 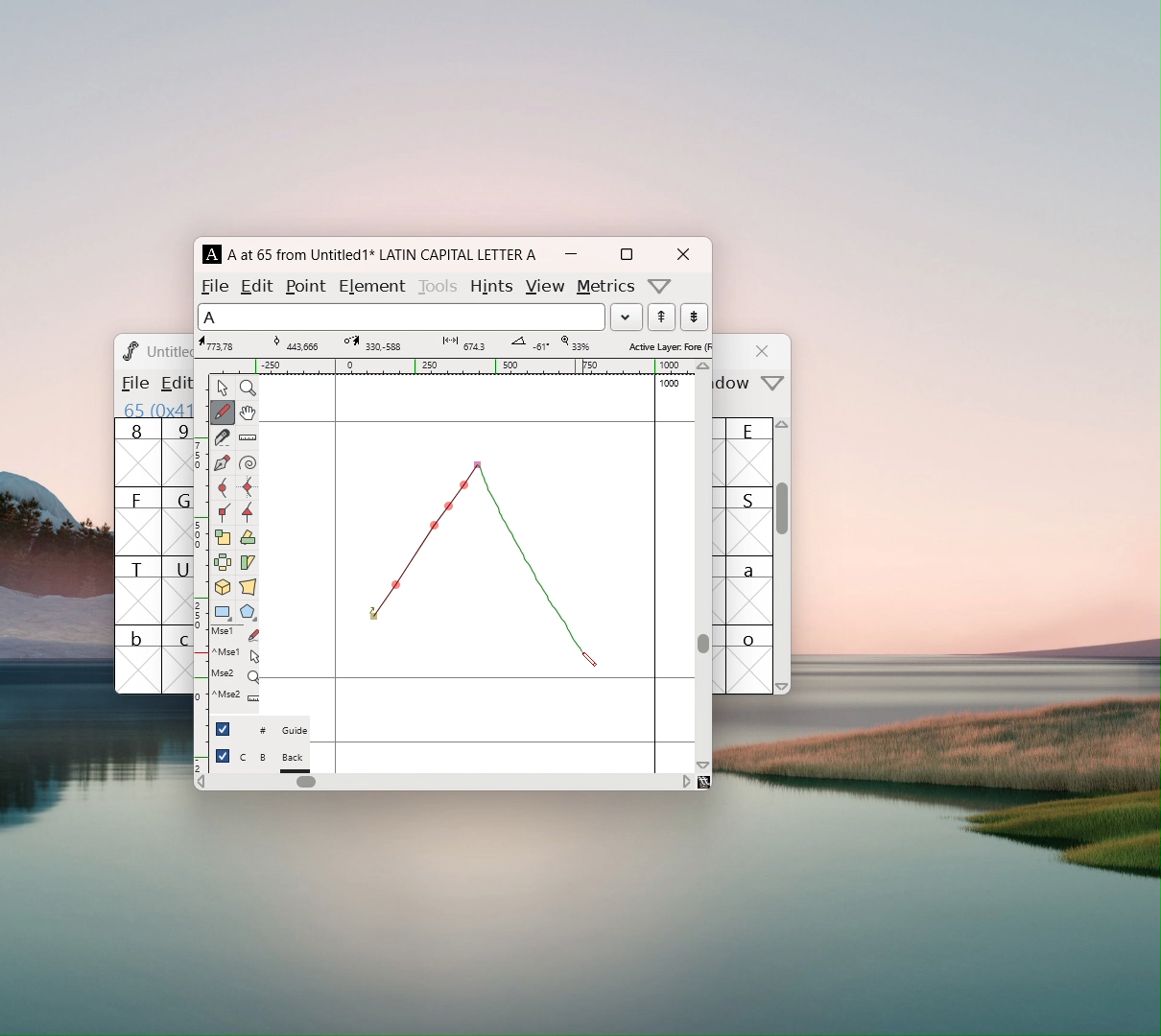 I want to click on scroll by hand , so click(x=248, y=413).